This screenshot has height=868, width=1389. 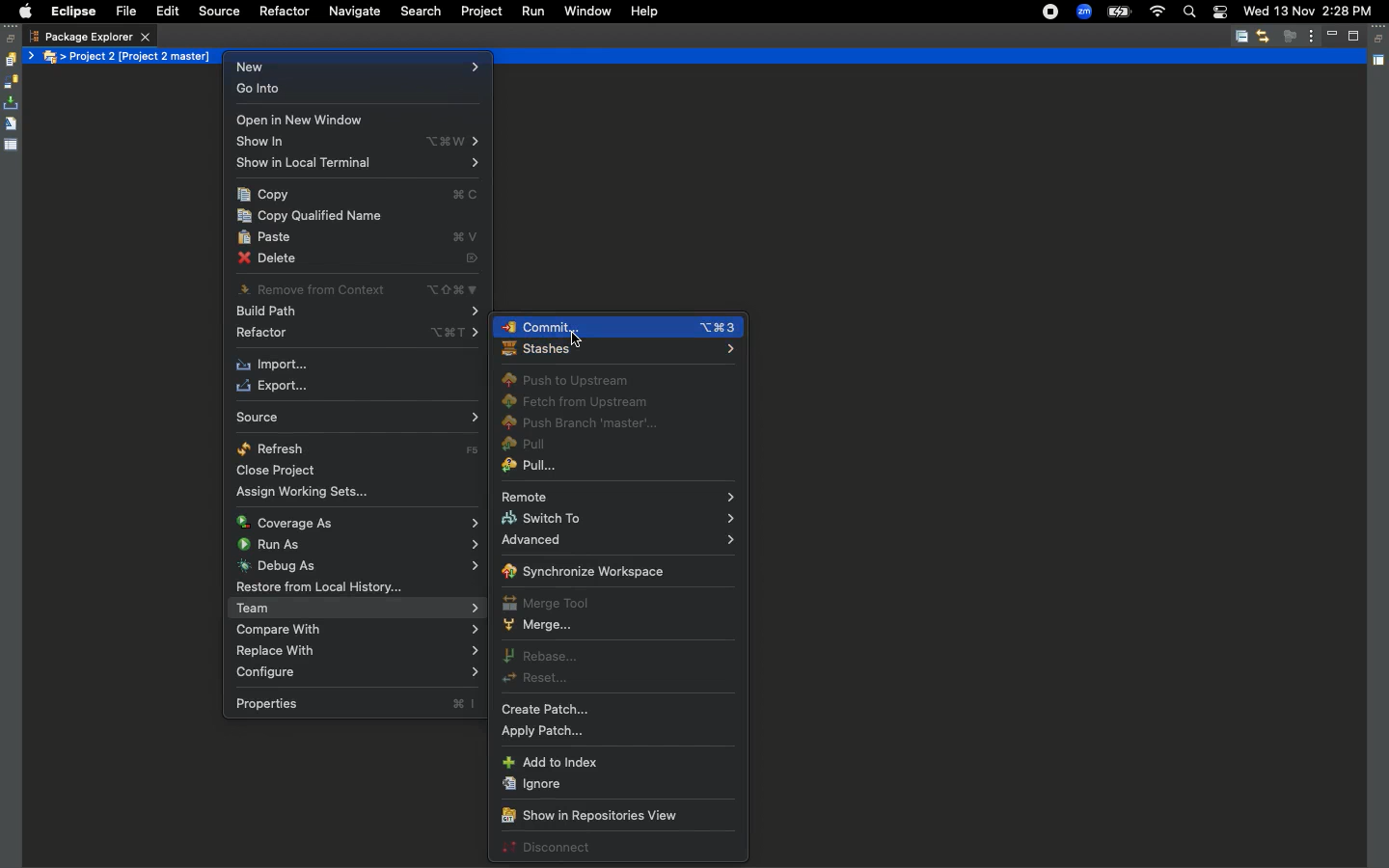 What do you see at coordinates (363, 195) in the screenshot?
I see `Copy` at bounding box center [363, 195].